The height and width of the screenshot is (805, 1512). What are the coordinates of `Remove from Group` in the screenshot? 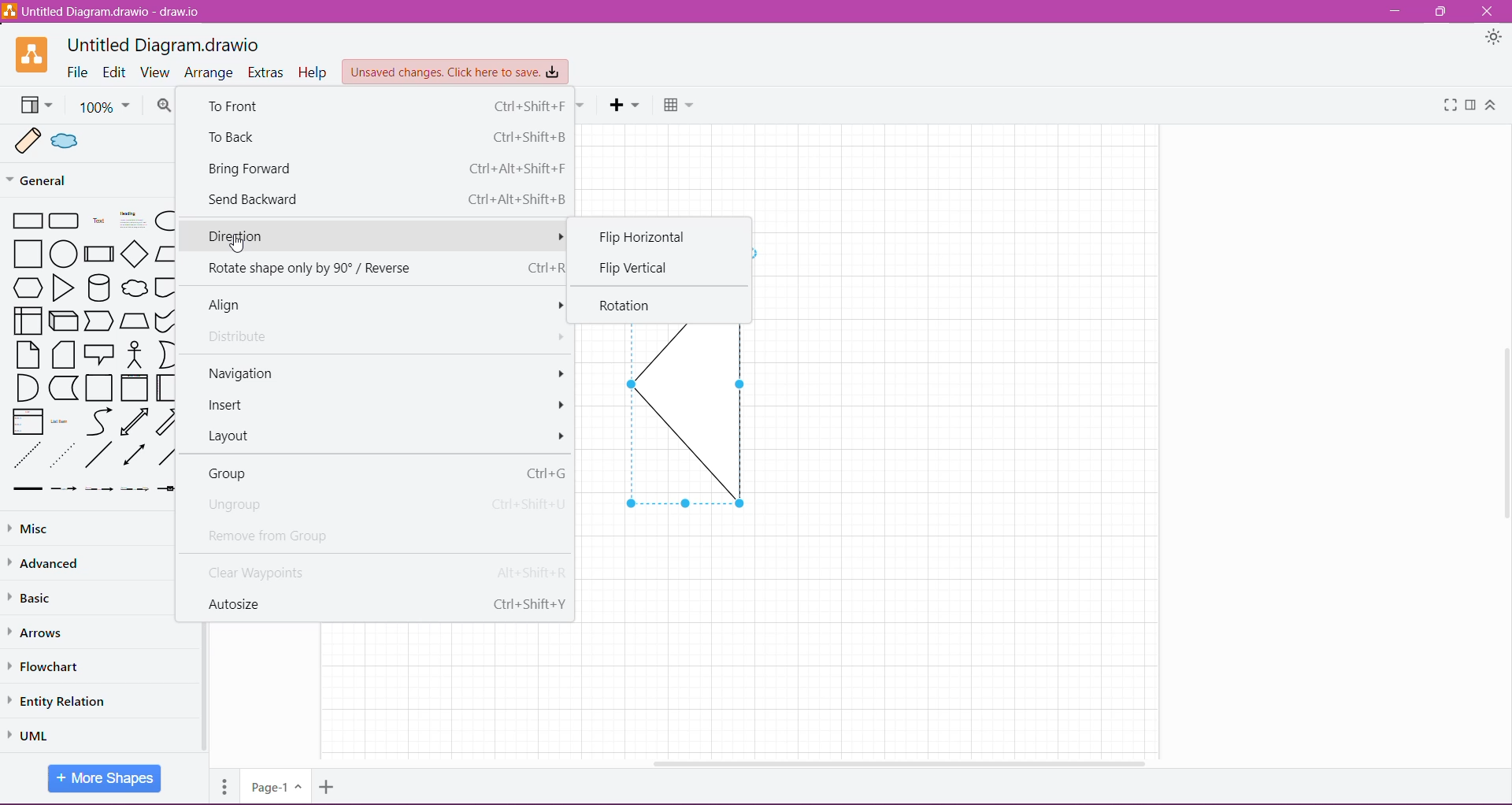 It's located at (381, 536).